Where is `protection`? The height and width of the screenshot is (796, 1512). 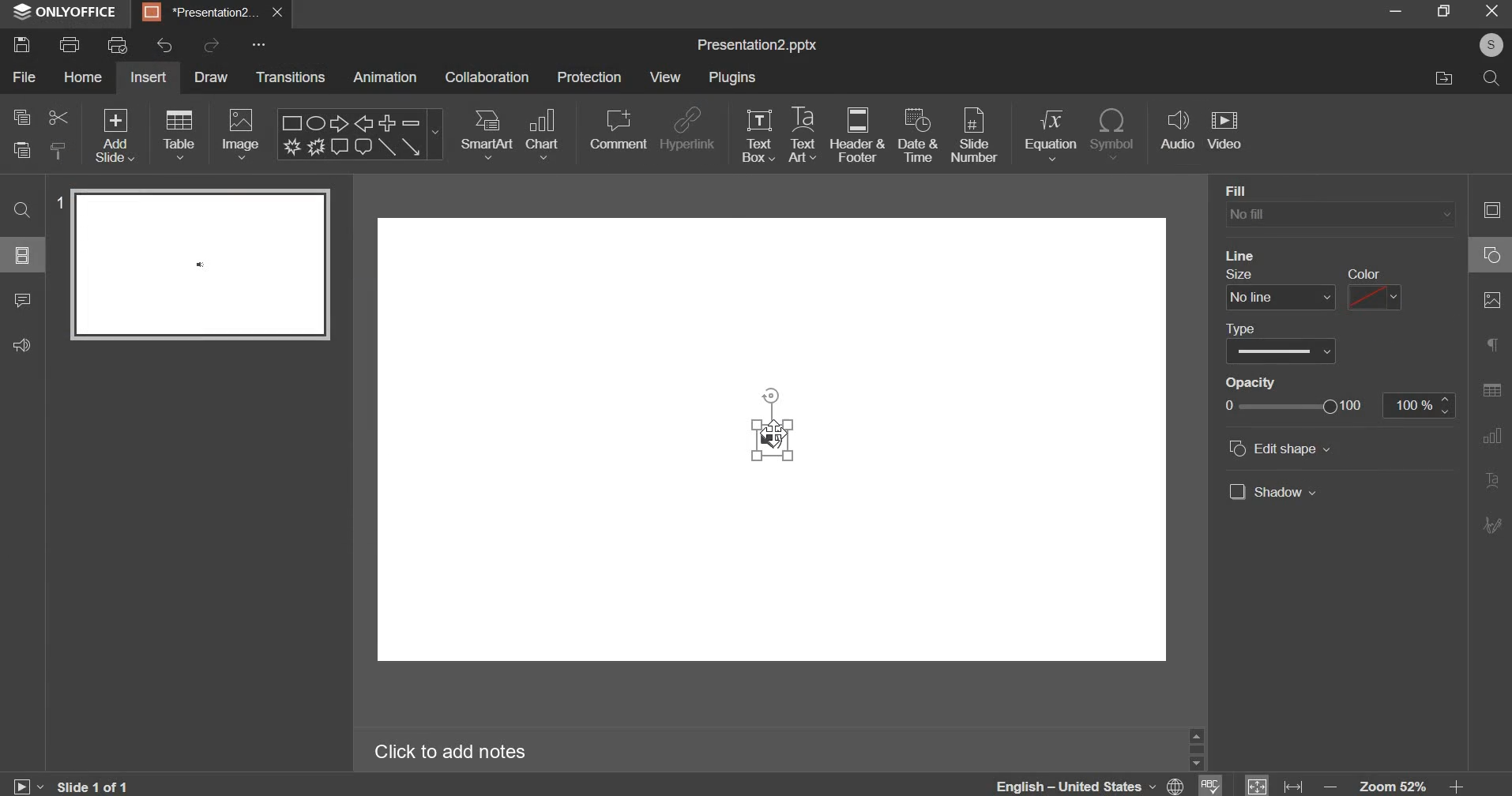 protection is located at coordinates (588, 77).